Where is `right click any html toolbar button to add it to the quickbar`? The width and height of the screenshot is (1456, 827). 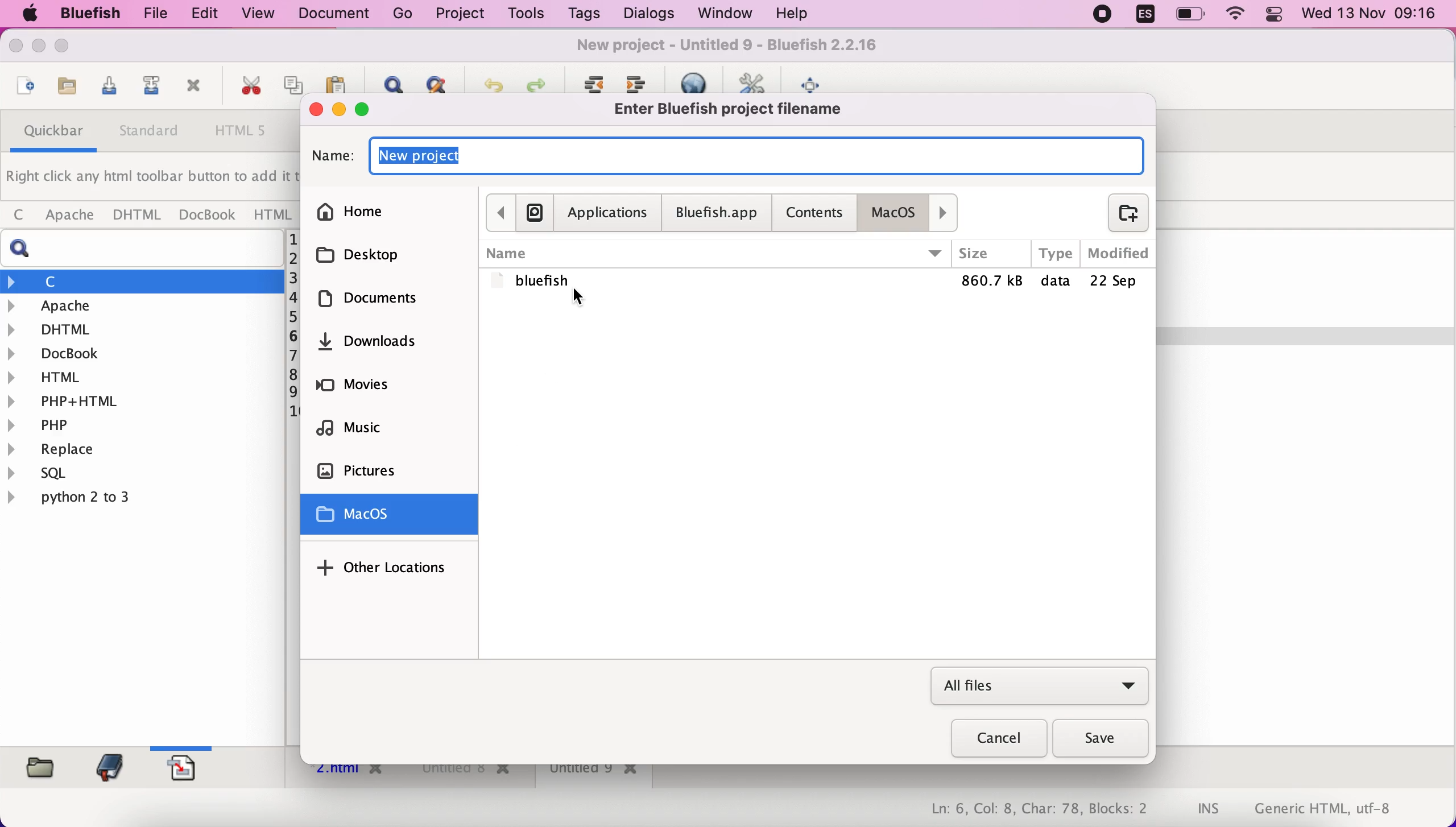
right click any html toolbar button to add it to the quickbar is located at coordinates (151, 180).